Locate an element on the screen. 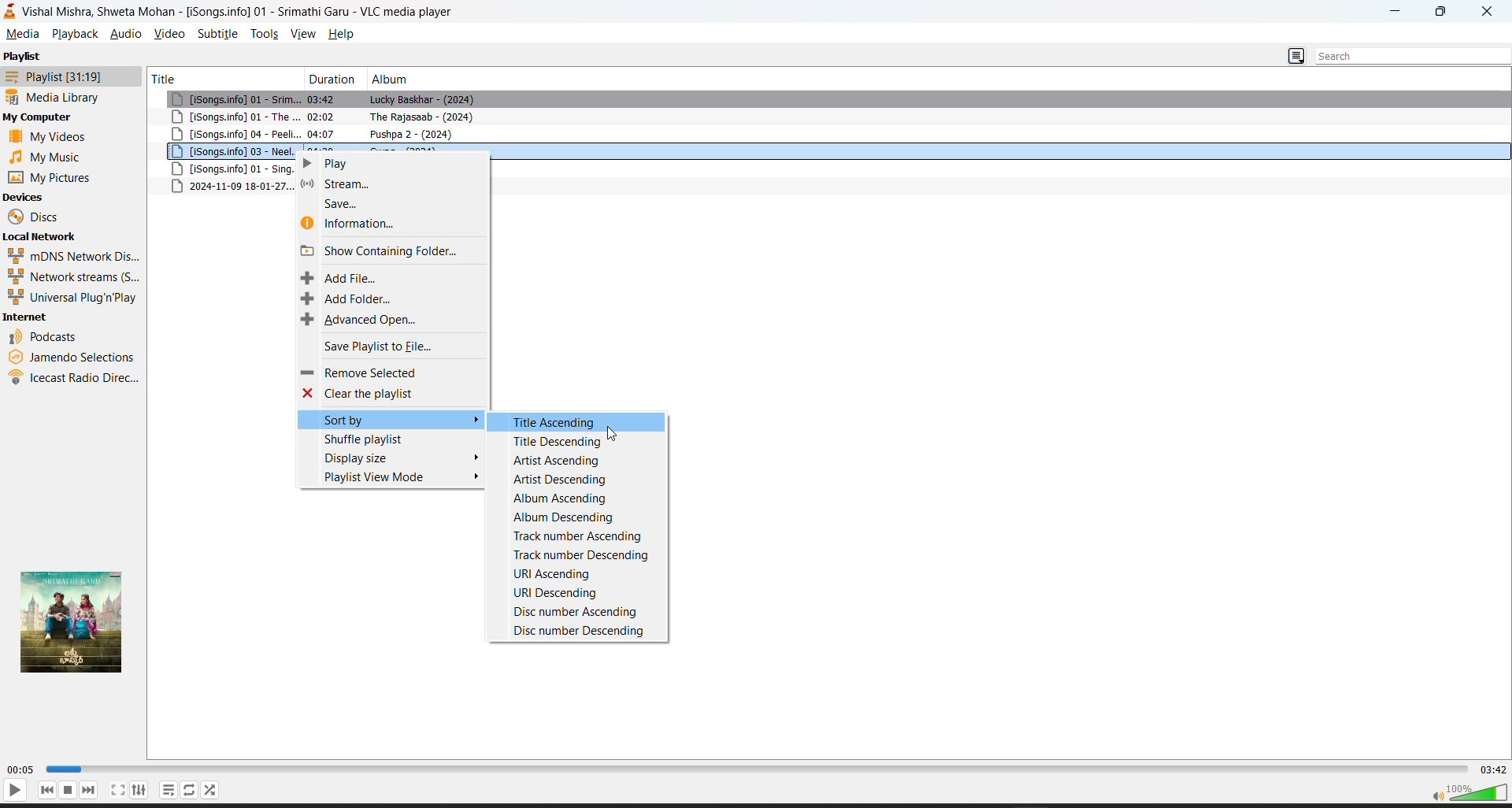 This screenshot has height=808, width=1512. cursor is located at coordinates (432, 427).